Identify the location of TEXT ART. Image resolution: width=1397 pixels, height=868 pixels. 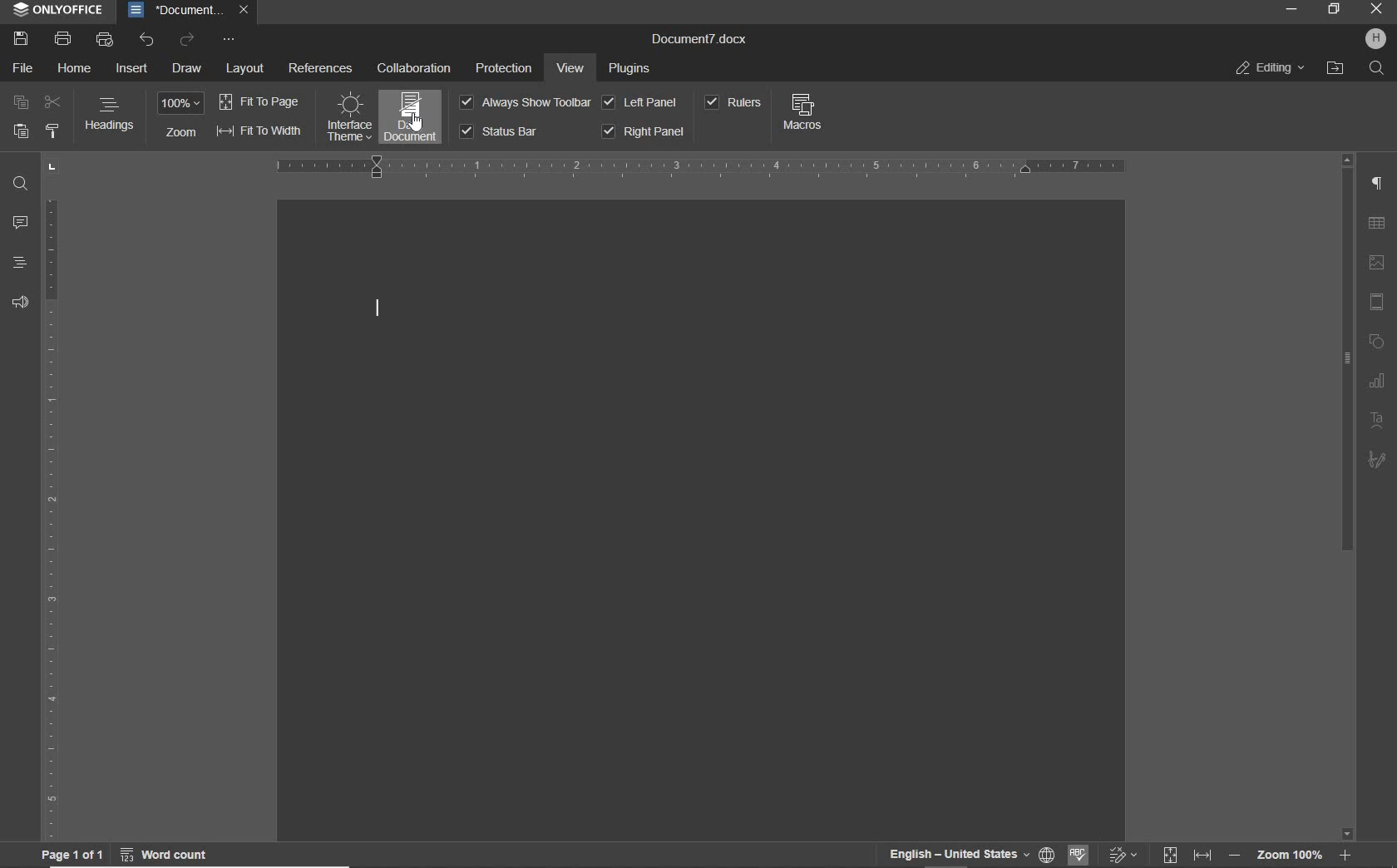
(1378, 421).